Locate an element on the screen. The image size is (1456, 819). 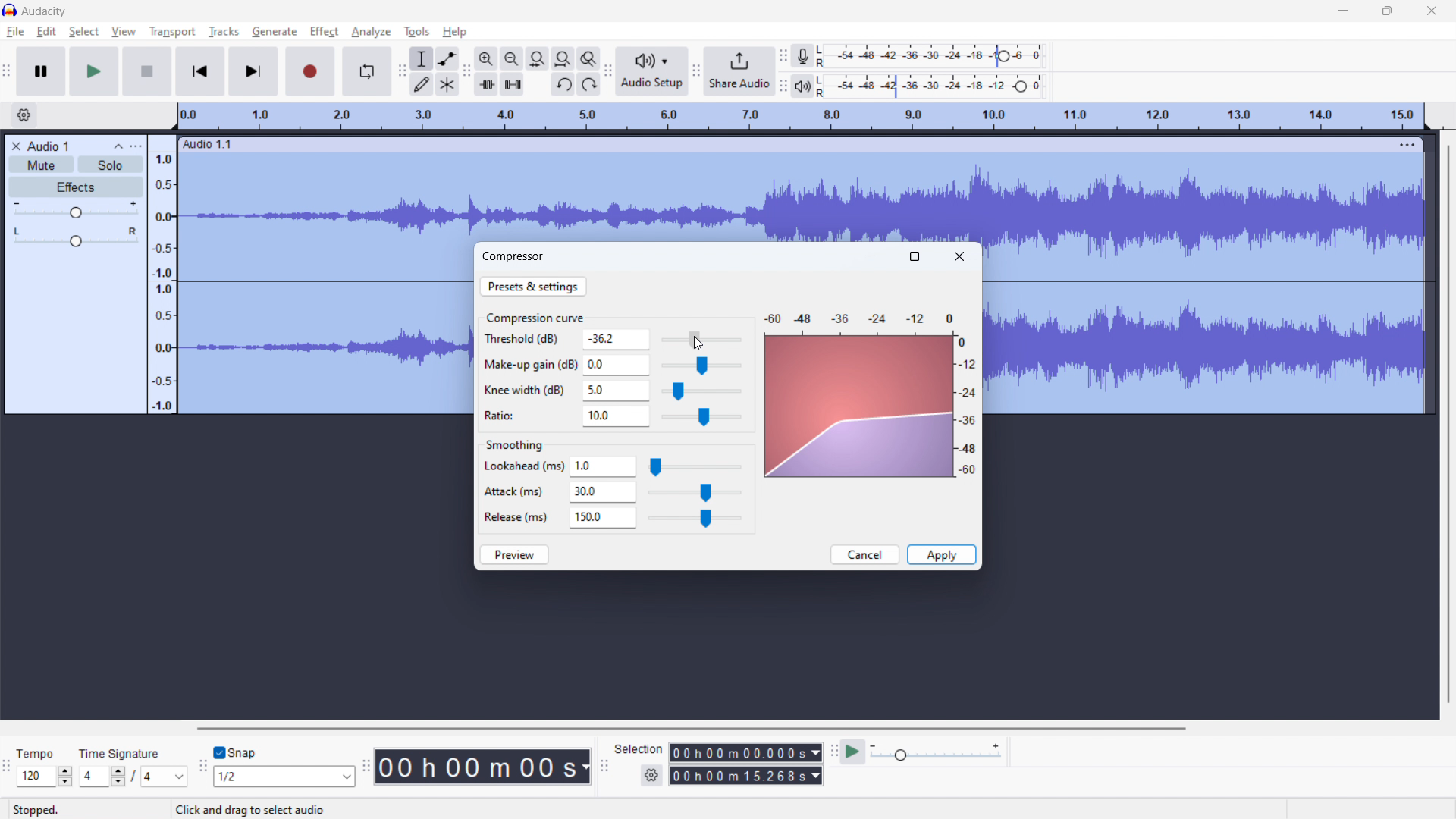
 Lookahead (ms) is located at coordinates (523, 467).